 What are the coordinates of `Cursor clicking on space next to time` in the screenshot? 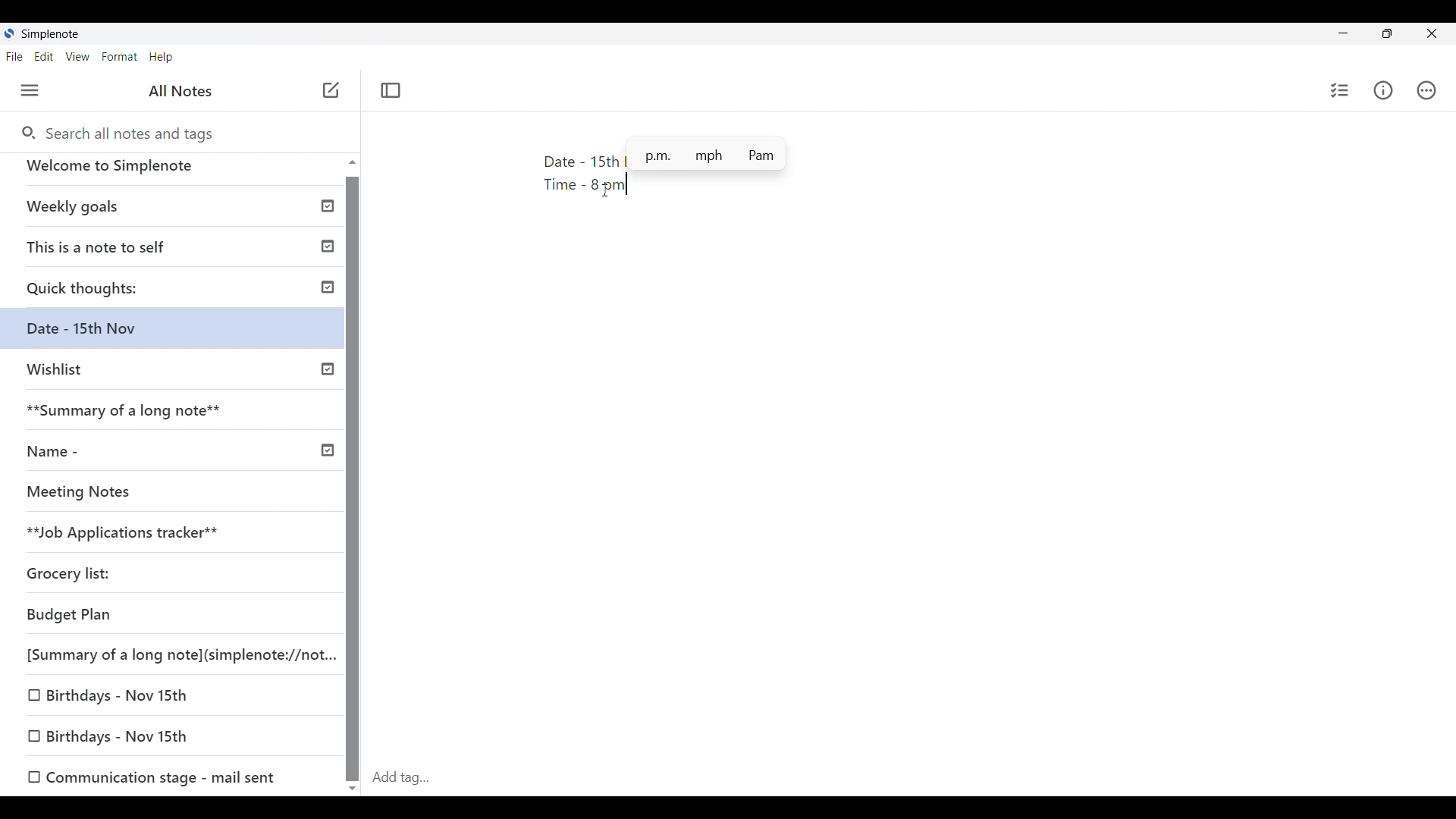 It's located at (605, 190).